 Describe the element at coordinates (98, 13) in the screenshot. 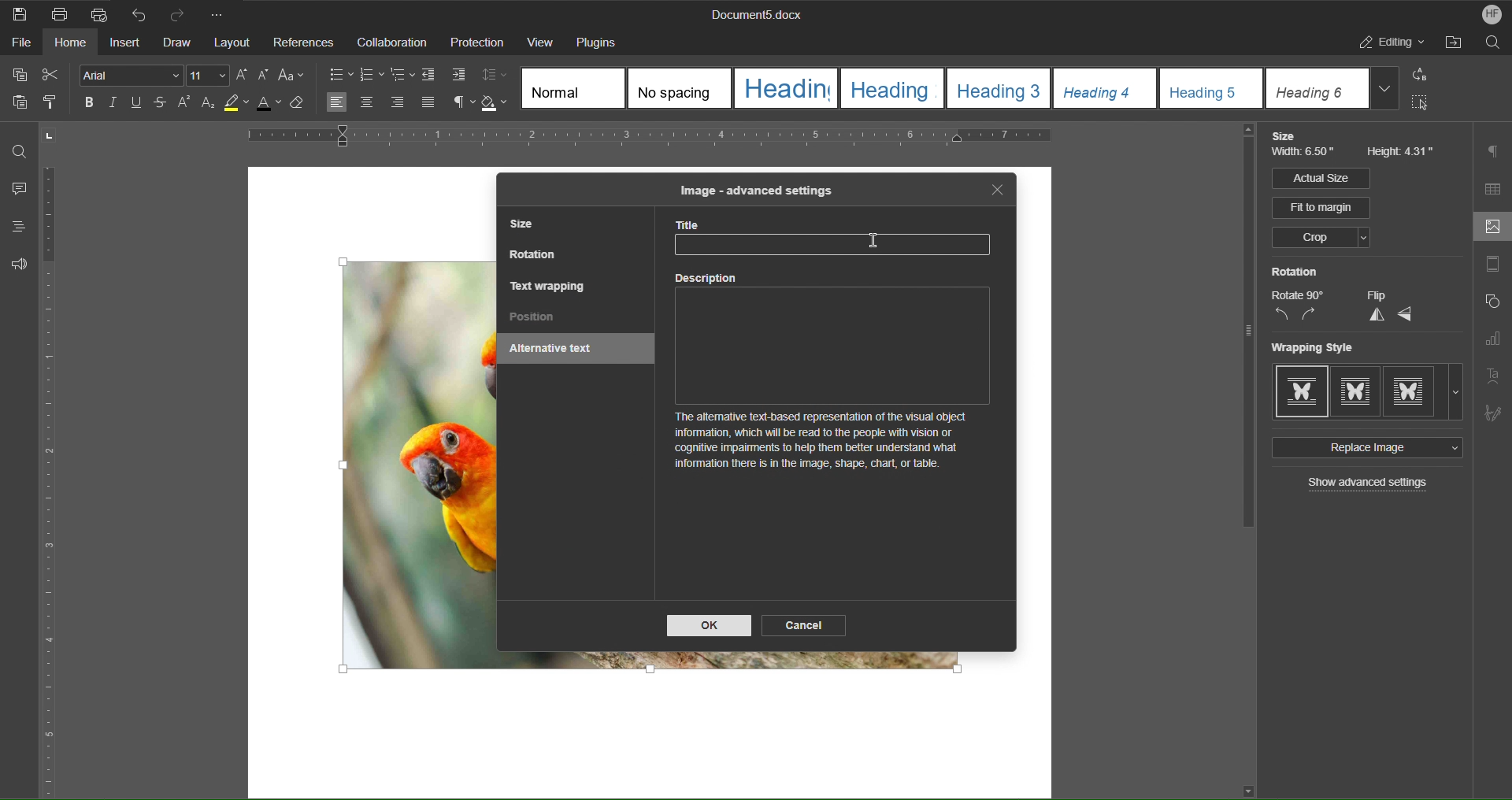

I see `Quick Print` at that location.